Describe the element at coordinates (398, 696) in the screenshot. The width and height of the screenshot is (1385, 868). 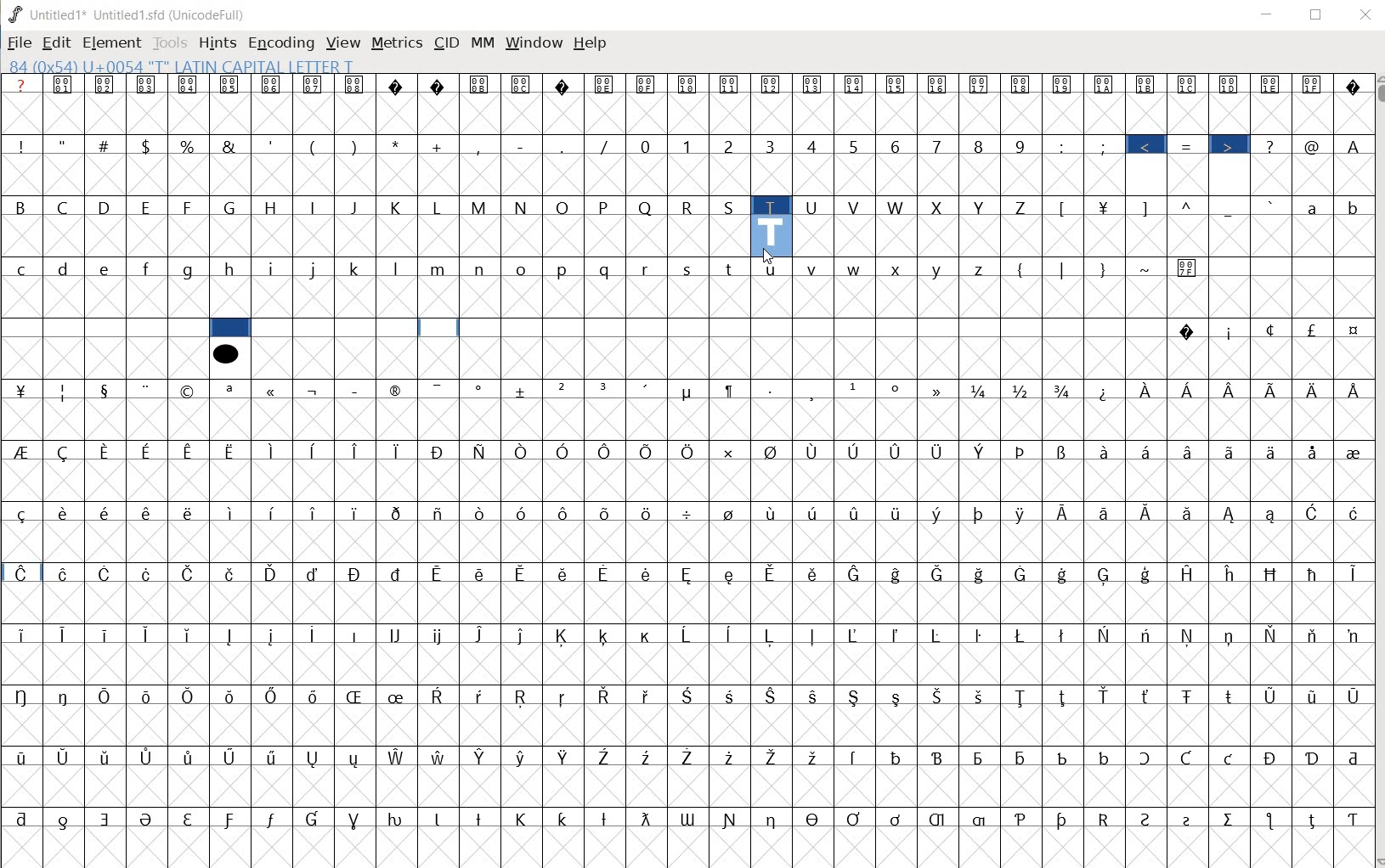
I see `Symbol` at that location.